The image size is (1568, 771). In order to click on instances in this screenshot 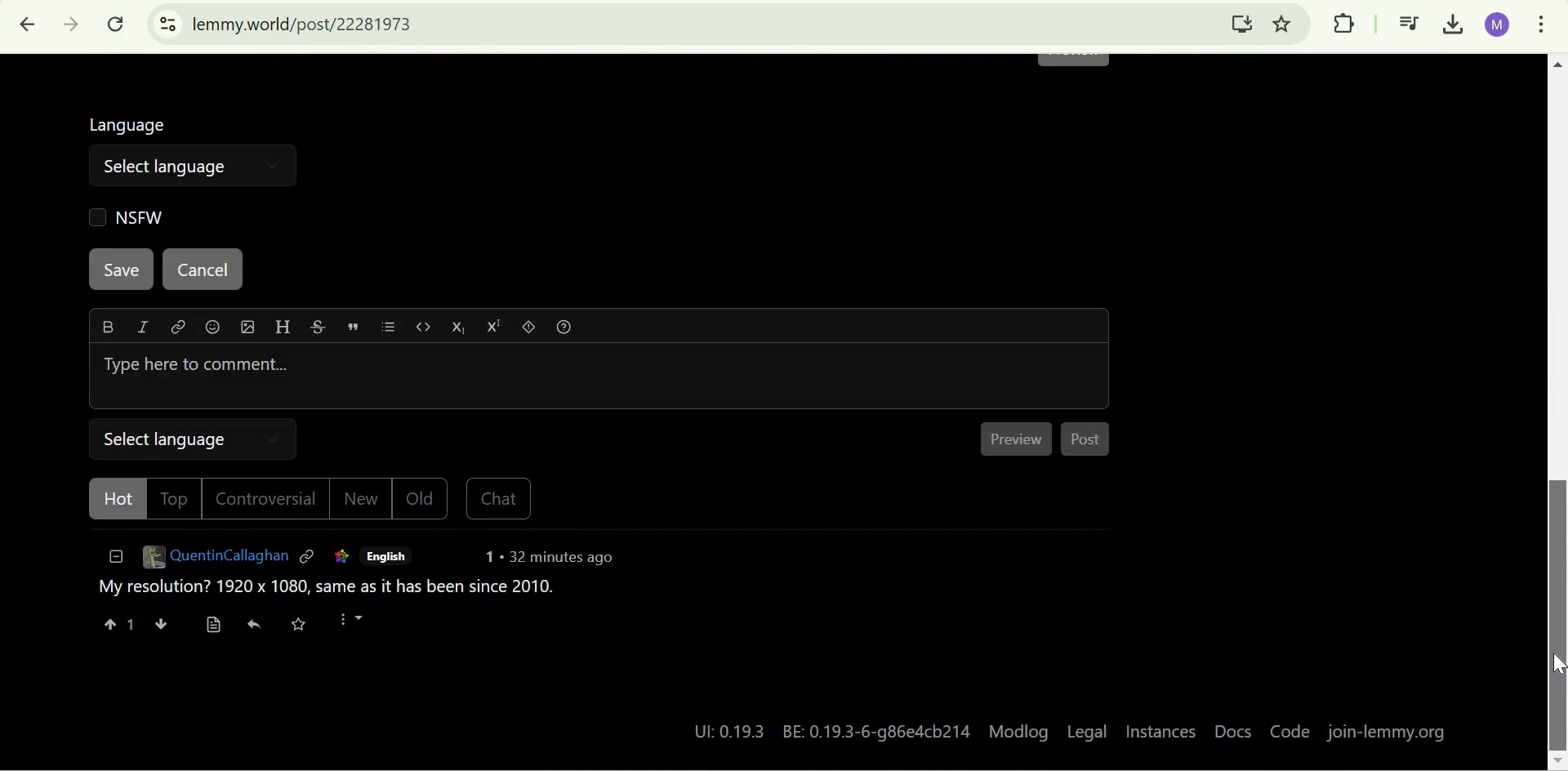, I will do `click(1161, 733)`.